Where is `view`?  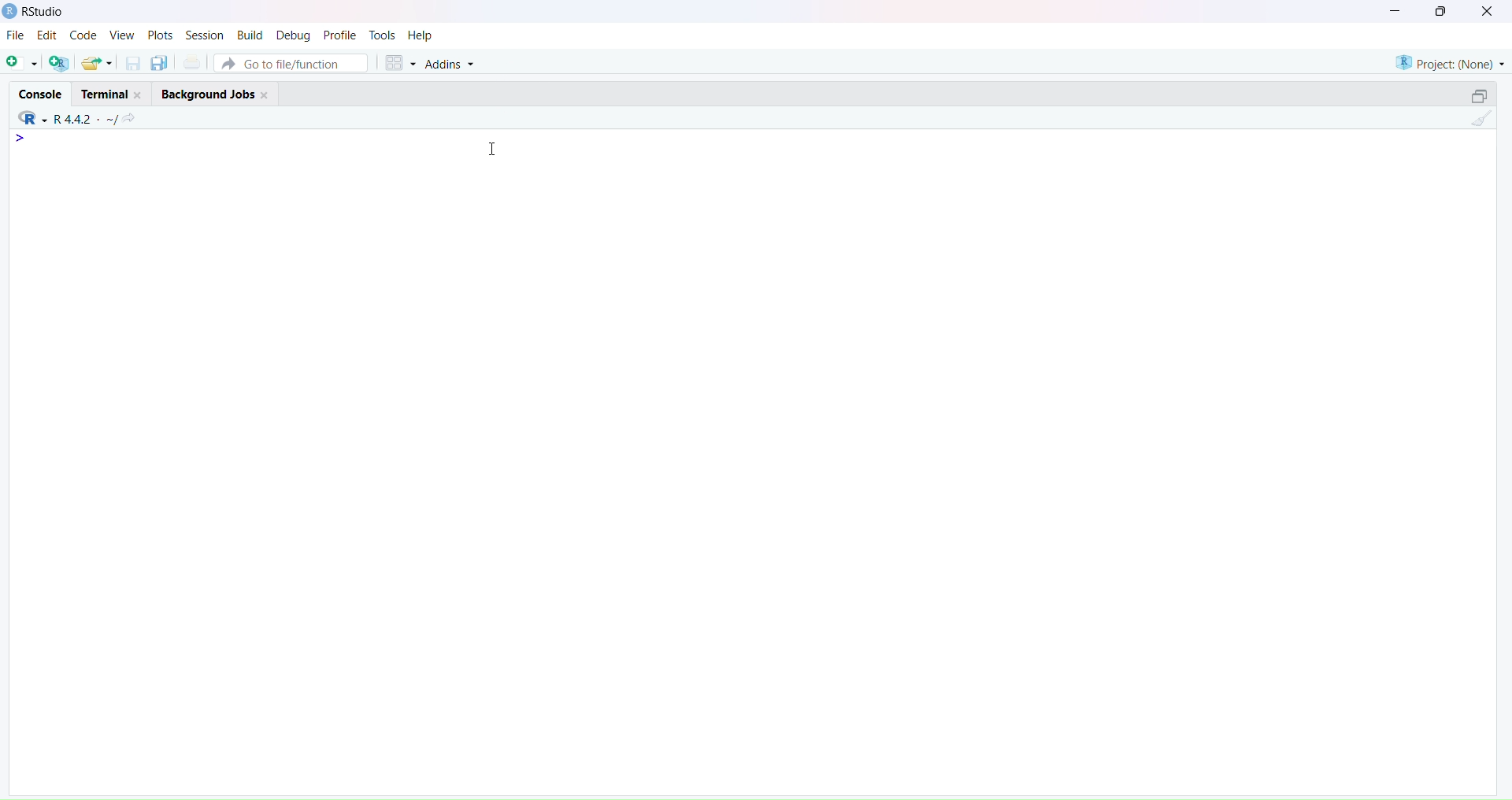 view is located at coordinates (124, 35).